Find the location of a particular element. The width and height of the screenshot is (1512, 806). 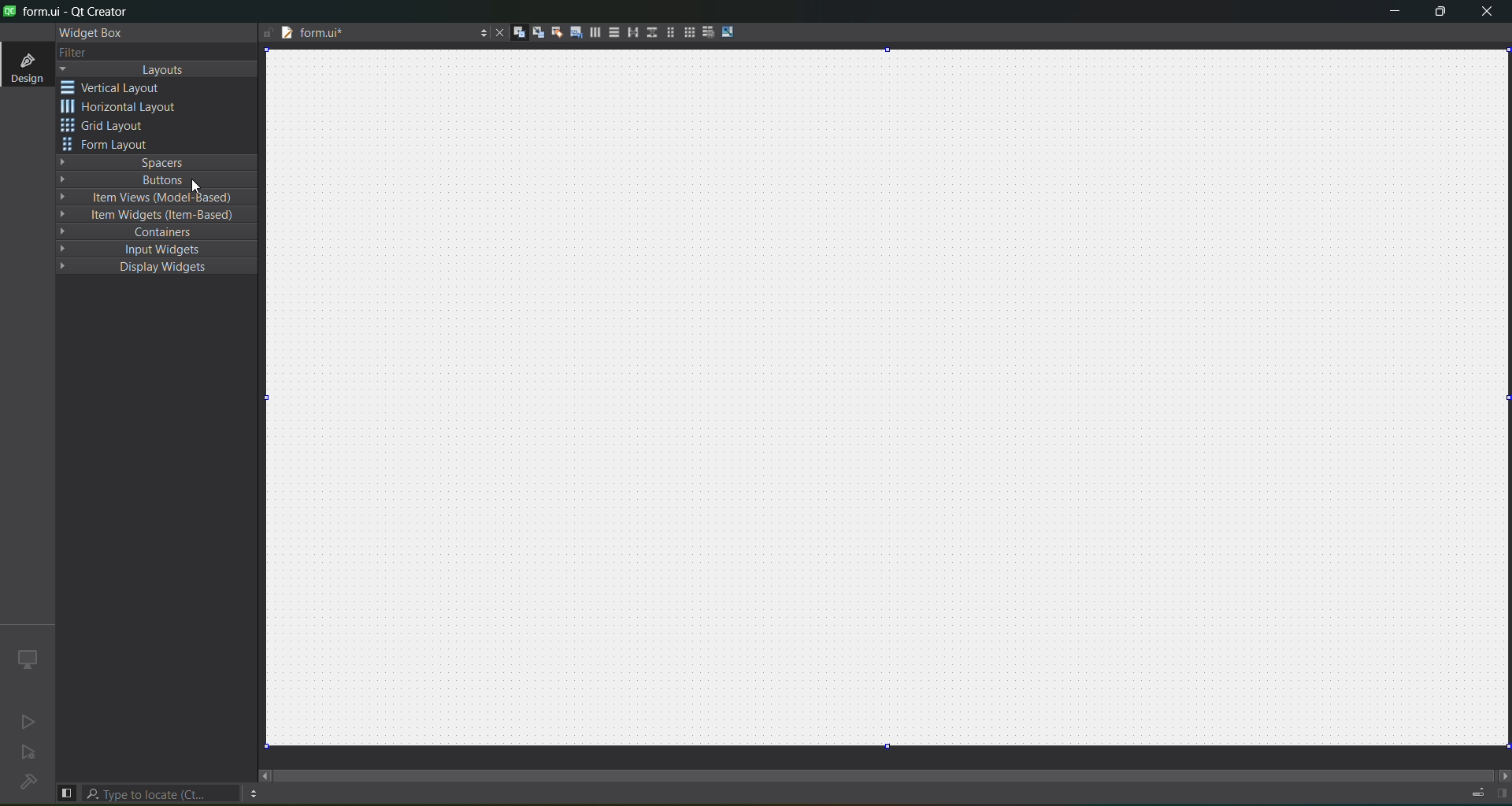

edit buddies is located at coordinates (554, 31).